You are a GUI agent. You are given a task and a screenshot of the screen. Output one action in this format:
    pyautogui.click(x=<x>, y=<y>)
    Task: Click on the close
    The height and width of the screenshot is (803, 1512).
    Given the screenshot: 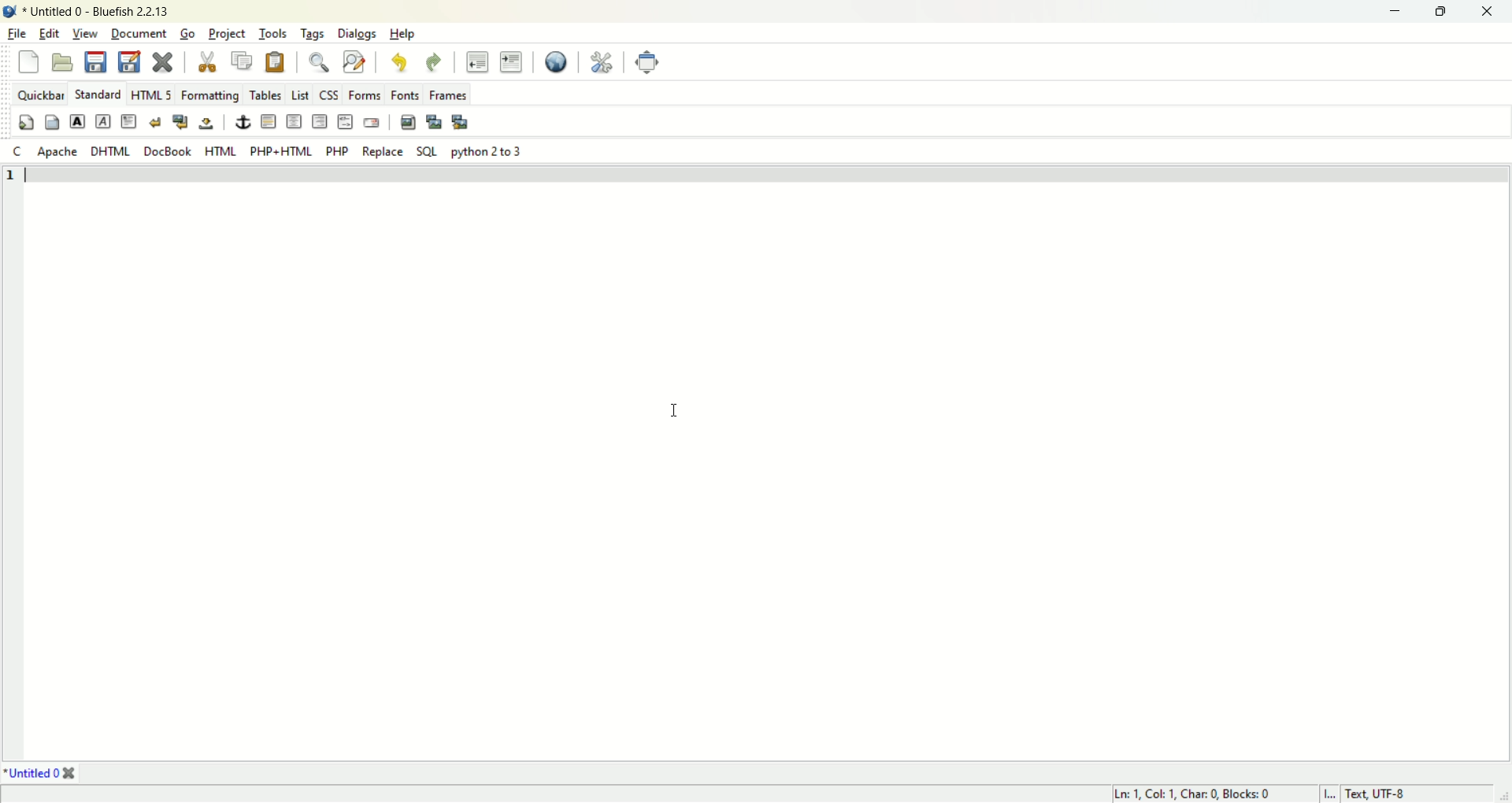 What is the action you would take?
    pyautogui.click(x=163, y=64)
    